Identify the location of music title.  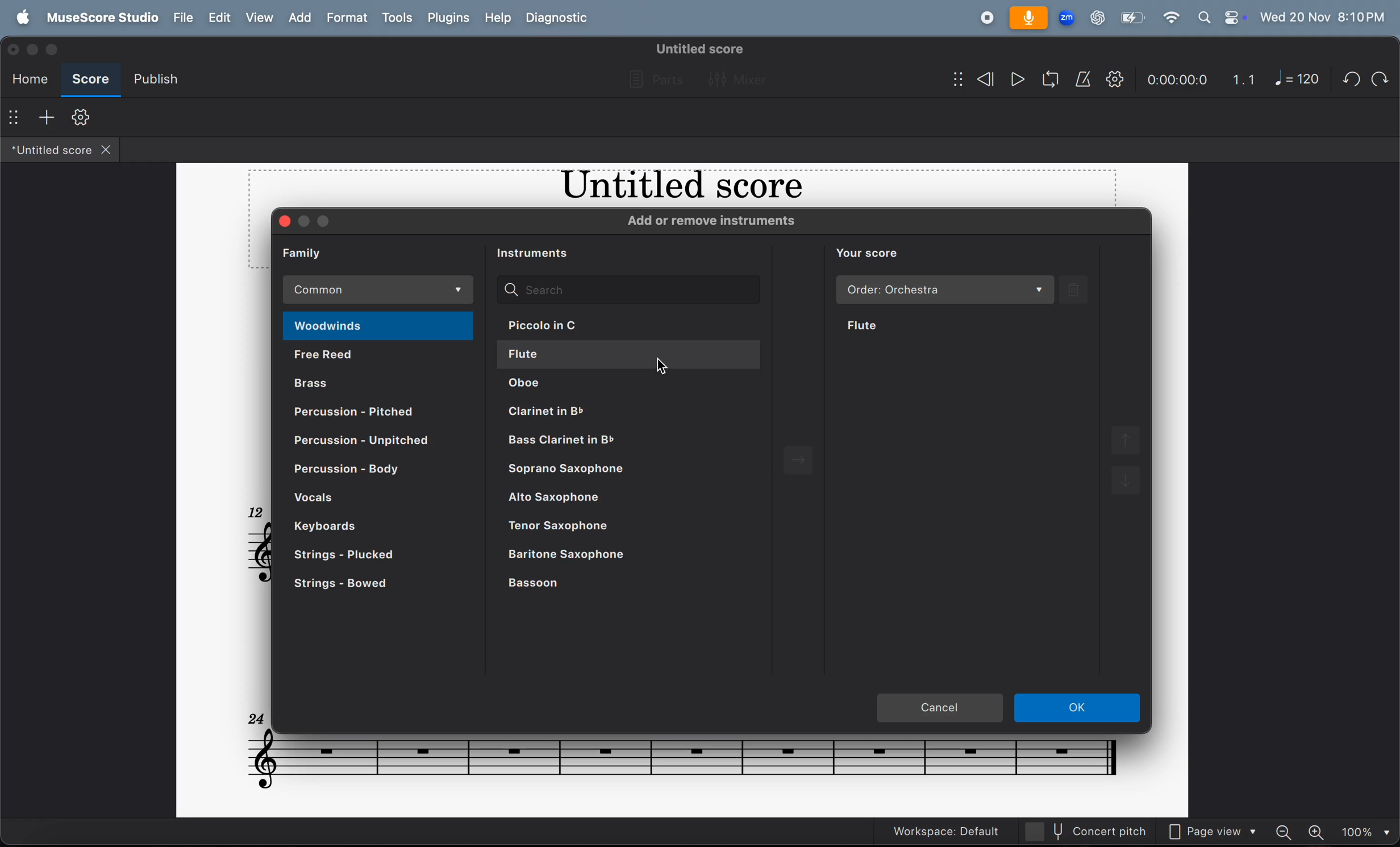
(673, 188).